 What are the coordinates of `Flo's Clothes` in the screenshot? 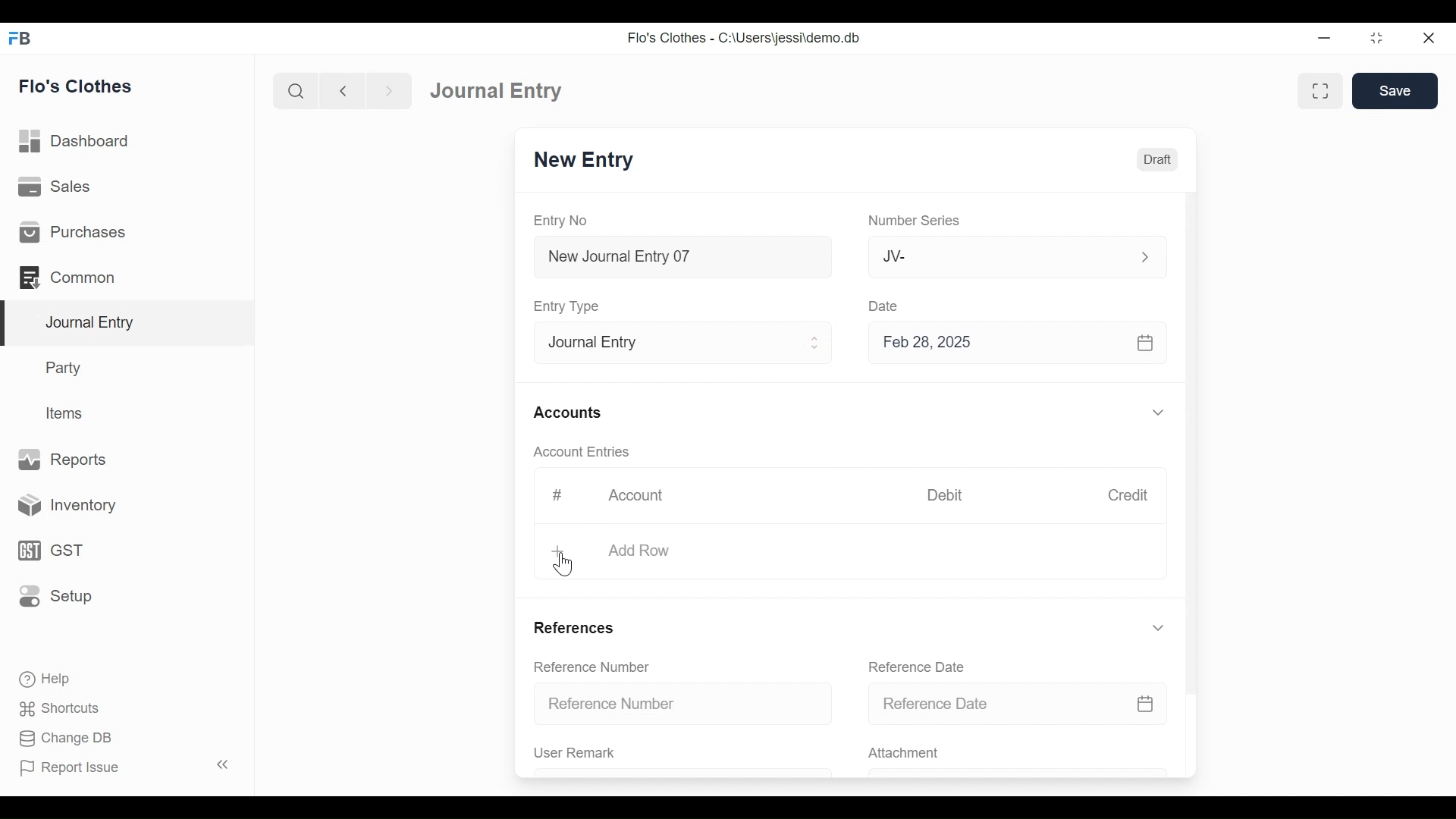 It's located at (76, 86).